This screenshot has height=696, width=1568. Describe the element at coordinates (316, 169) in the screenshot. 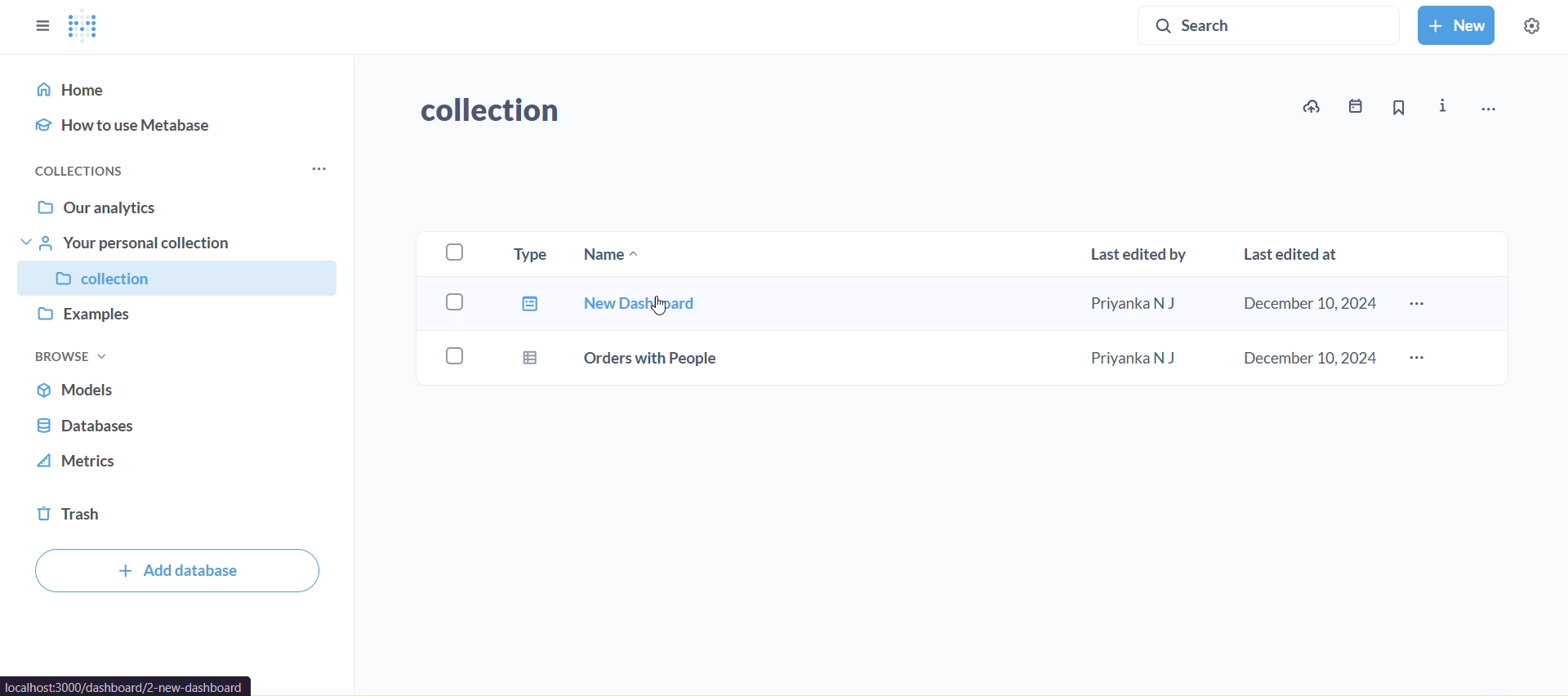

I see `more` at that location.